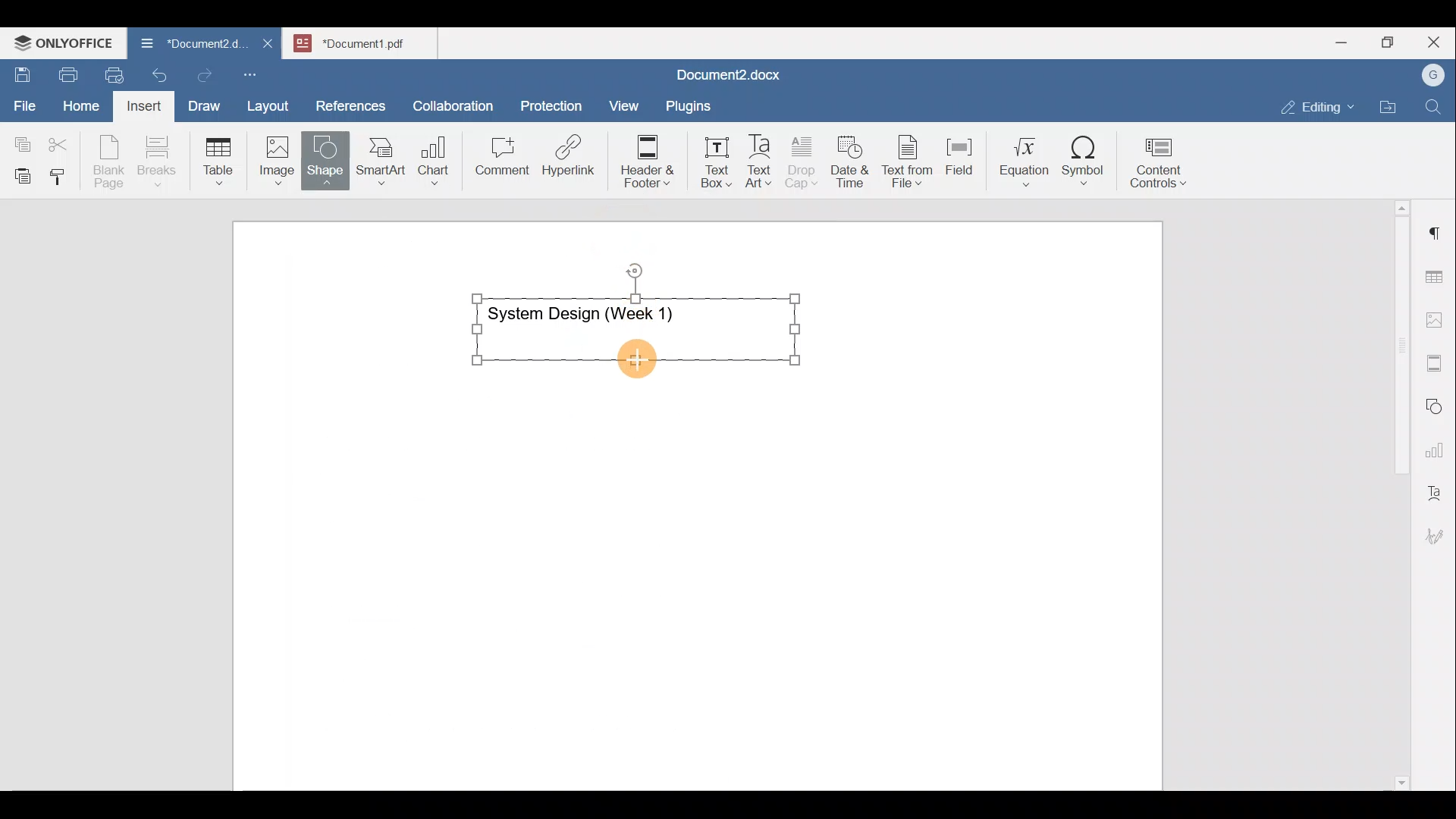  I want to click on Quick print, so click(110, 73).